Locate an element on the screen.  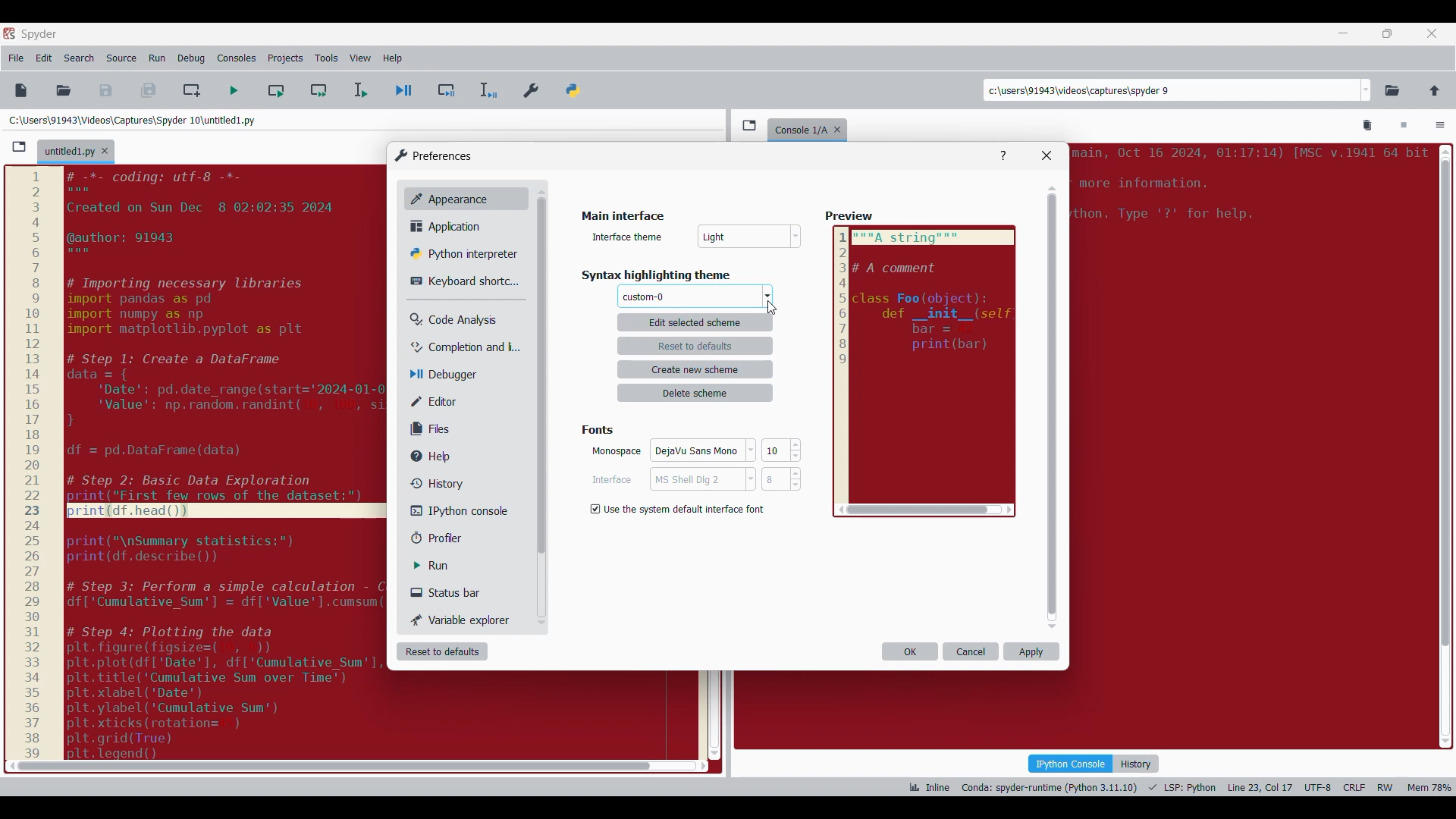
PYTHONPATH manager is located at coordinates (576, 87).